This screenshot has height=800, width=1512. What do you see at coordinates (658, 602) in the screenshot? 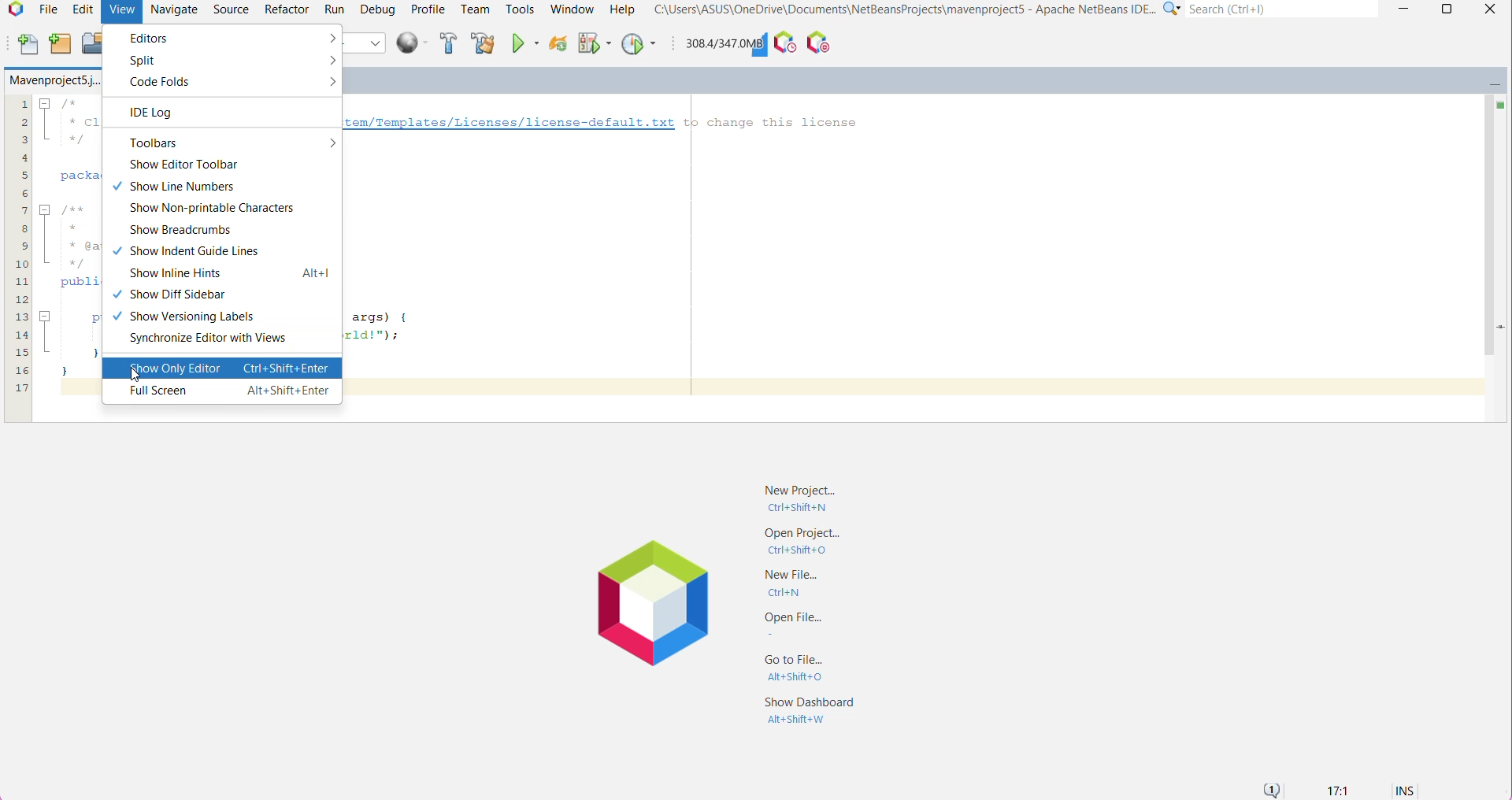
I see `Application Logo` at bounding box center [658, 602].